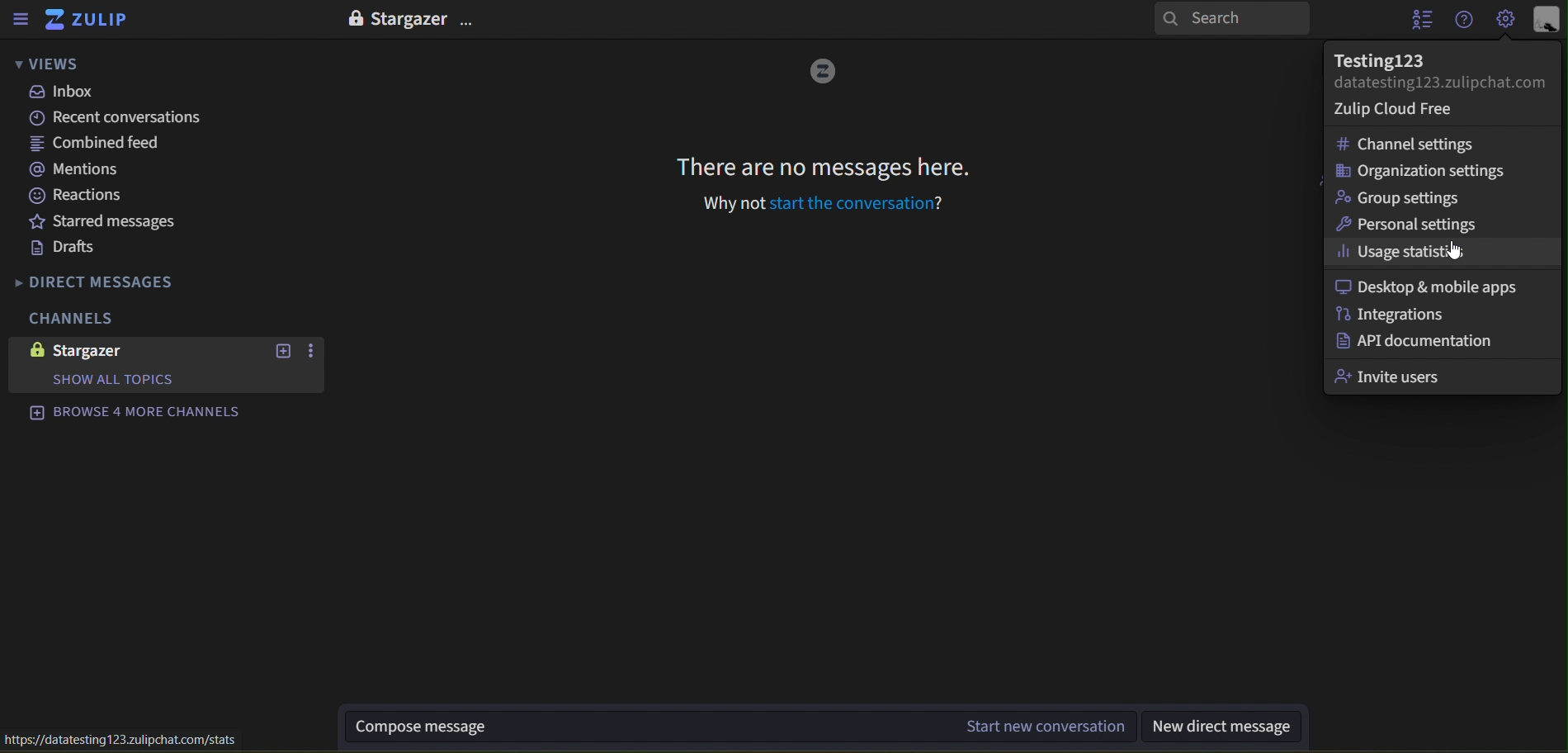 The image size is (1568, 753). What do you see at coordinates (86, 197) in the screenshot?
I see `reactions` at bounding box center [86, 197].